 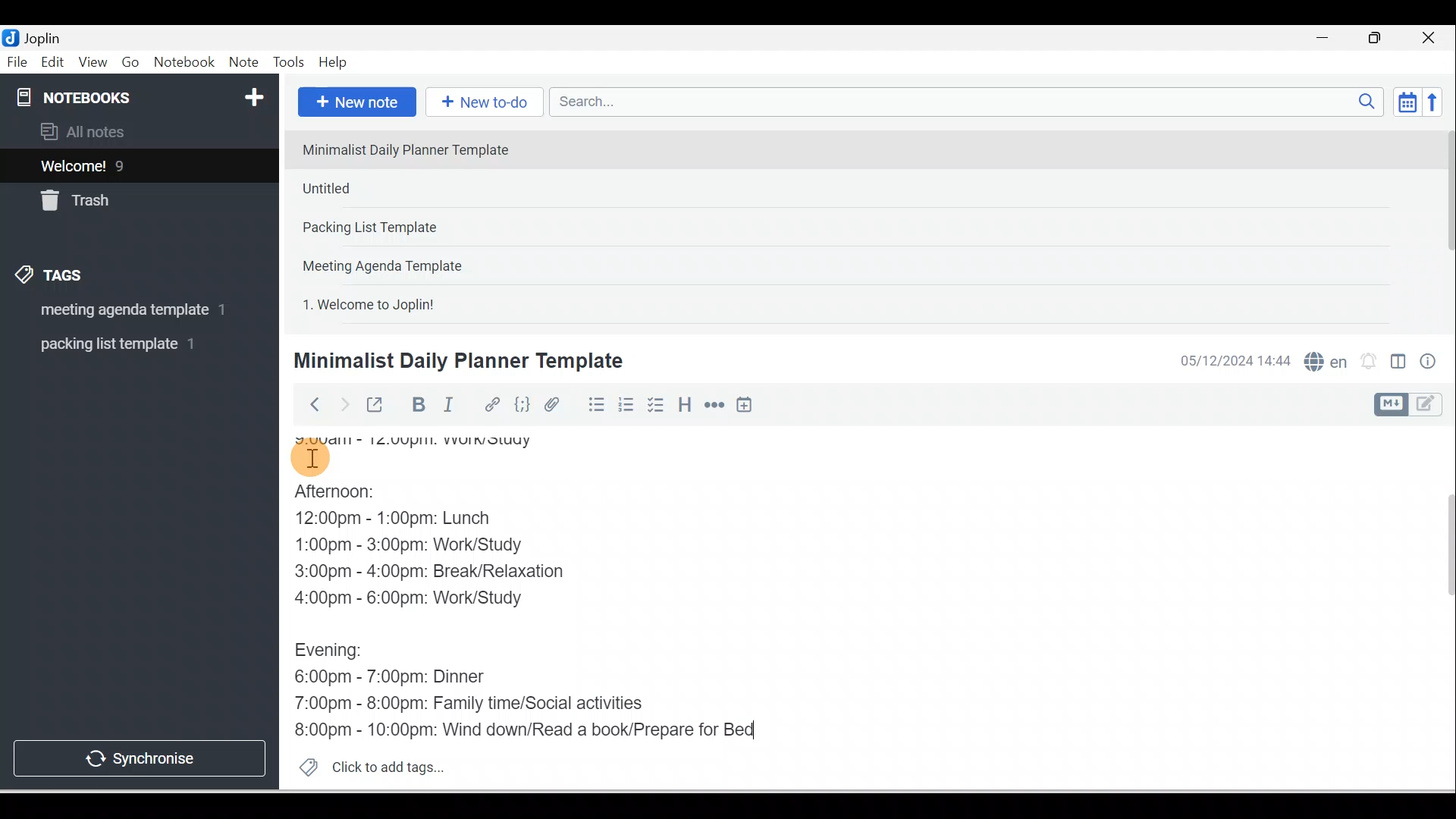 What do you see at coordinates (46, 36) in the screenshot?
I see `Joplin` at bounding box center [46, 36].